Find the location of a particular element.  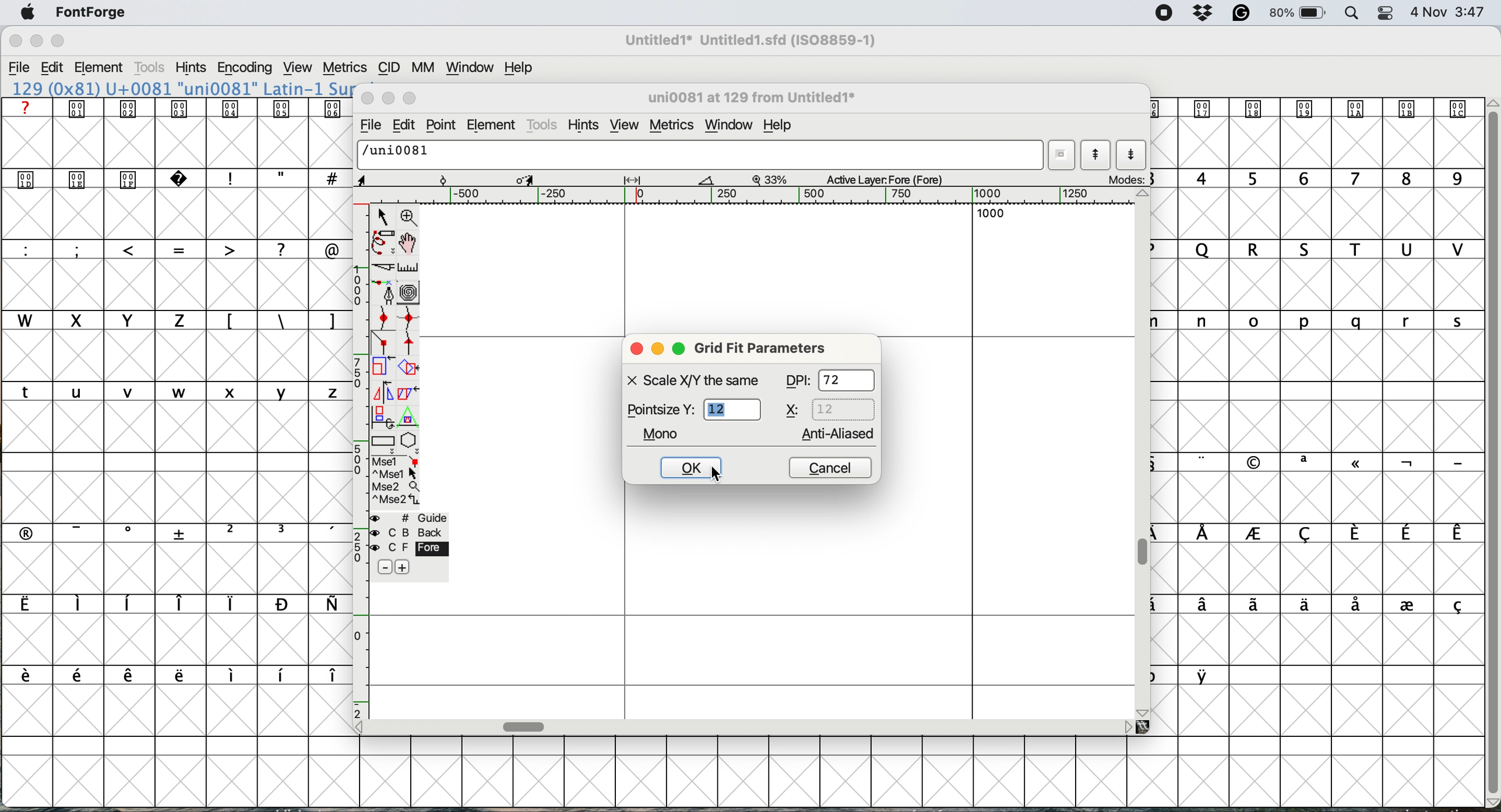

add a curve pint is located at coordinates (383, 320).